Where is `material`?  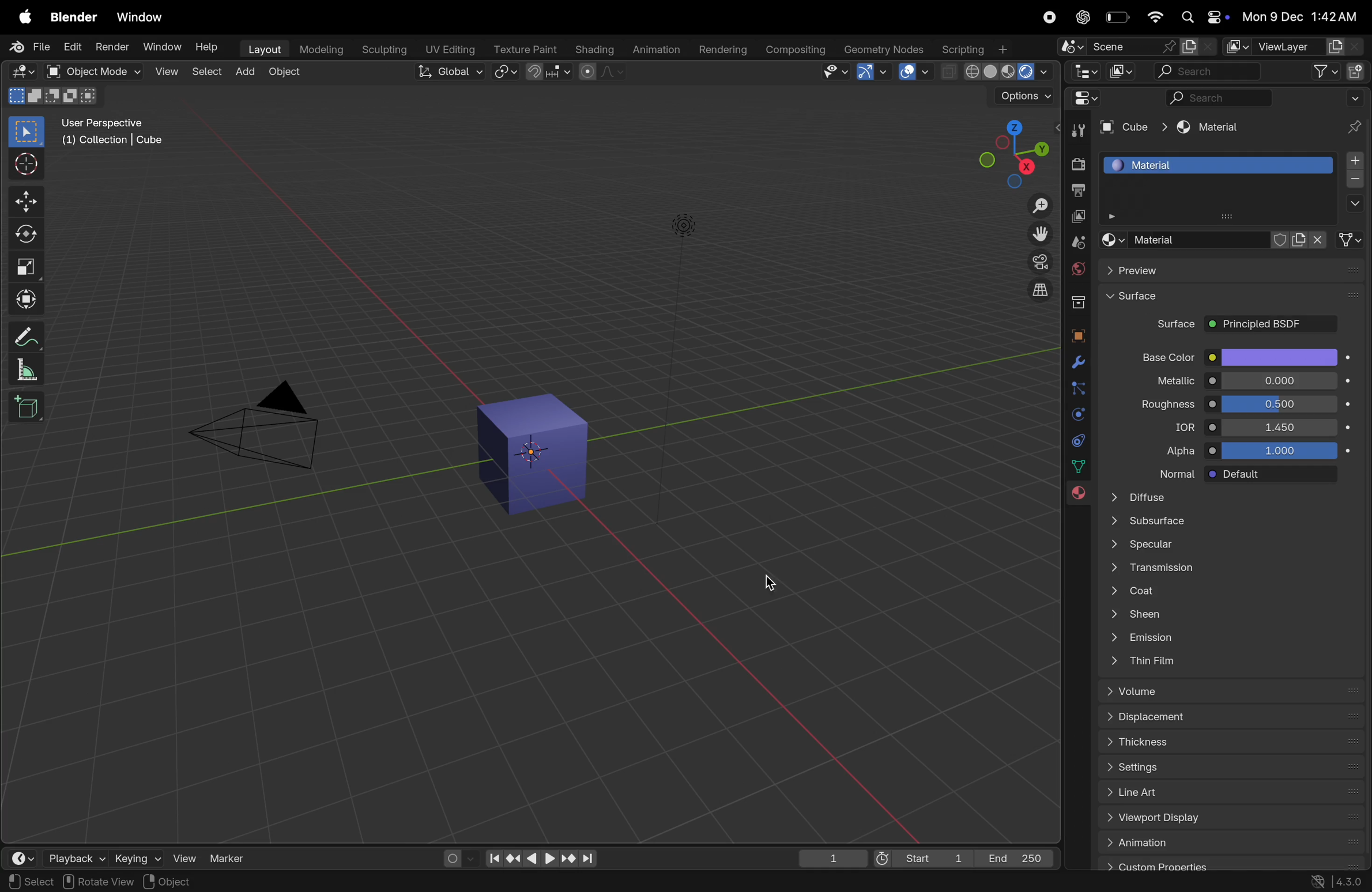
material is located at coordinates (1219, 164).